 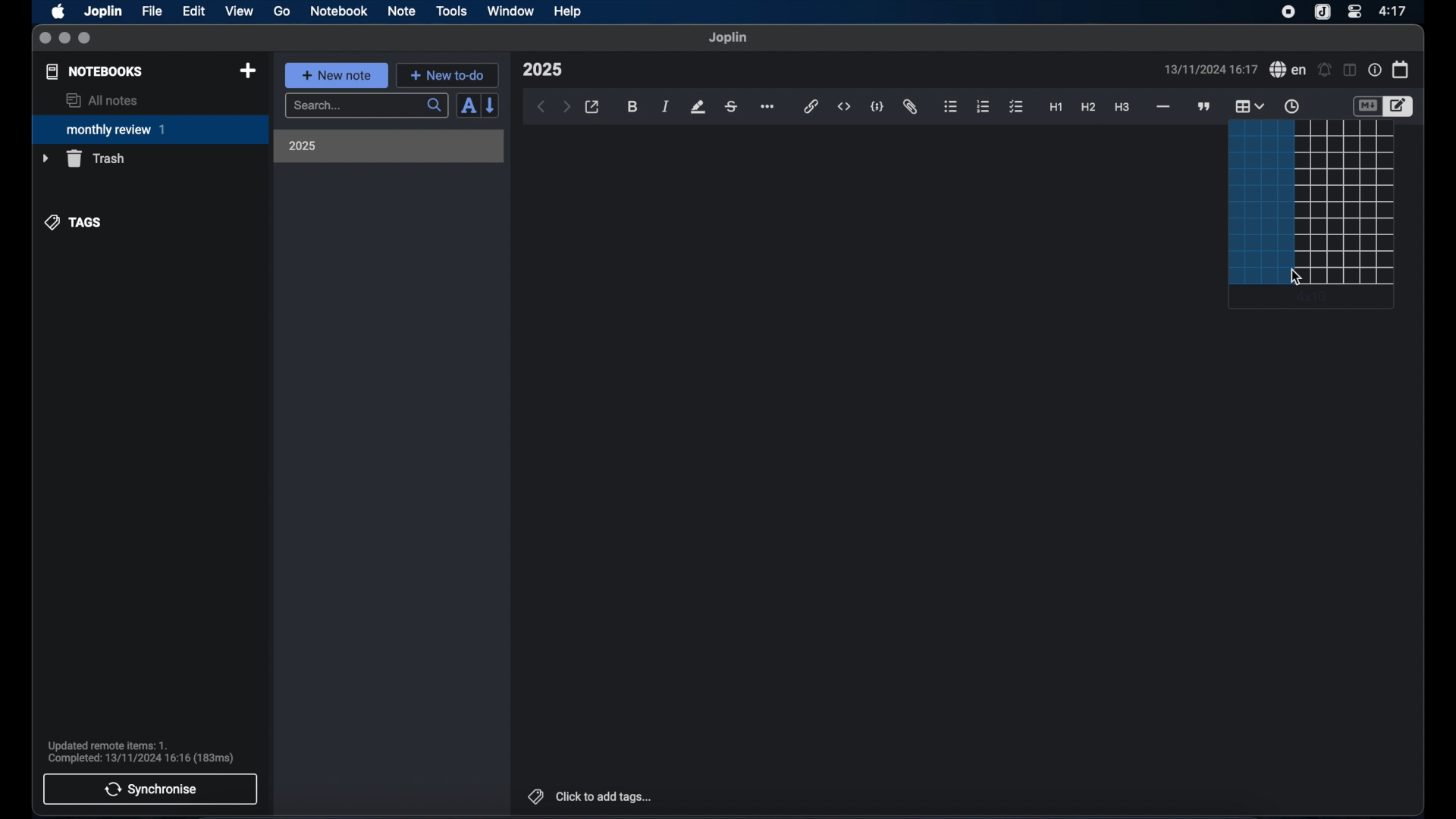 I want to click on window, so click(x=511, y=11).